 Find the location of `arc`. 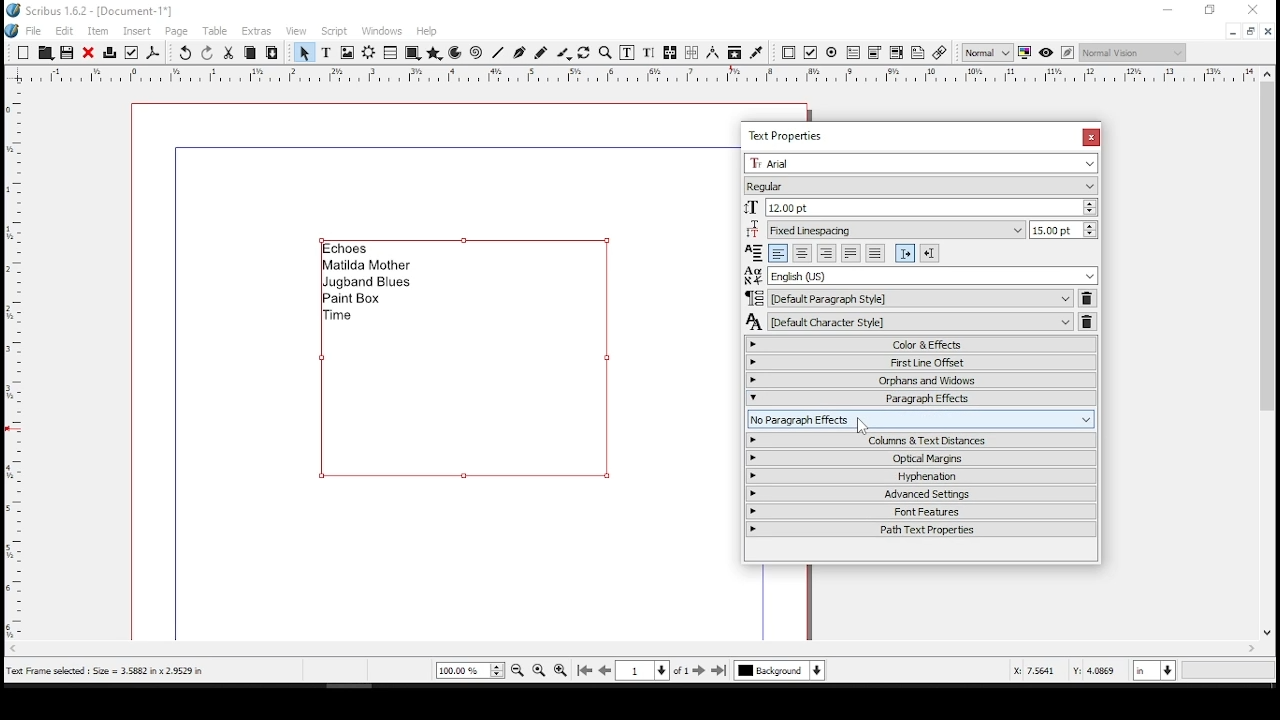

arc is located at coordinates (456, 53).